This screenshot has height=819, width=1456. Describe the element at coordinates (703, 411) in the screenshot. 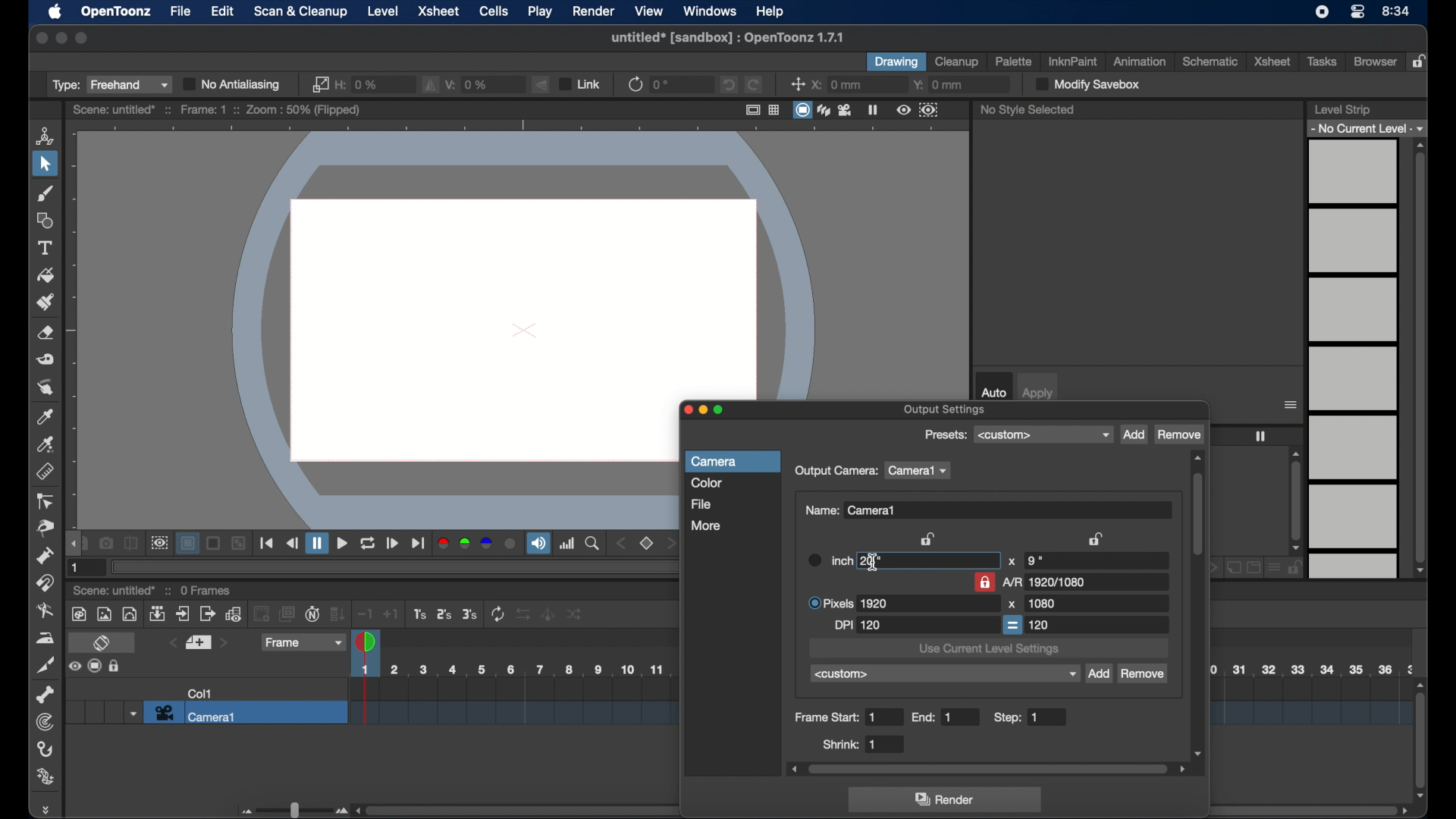

I see `minimize` at that location.